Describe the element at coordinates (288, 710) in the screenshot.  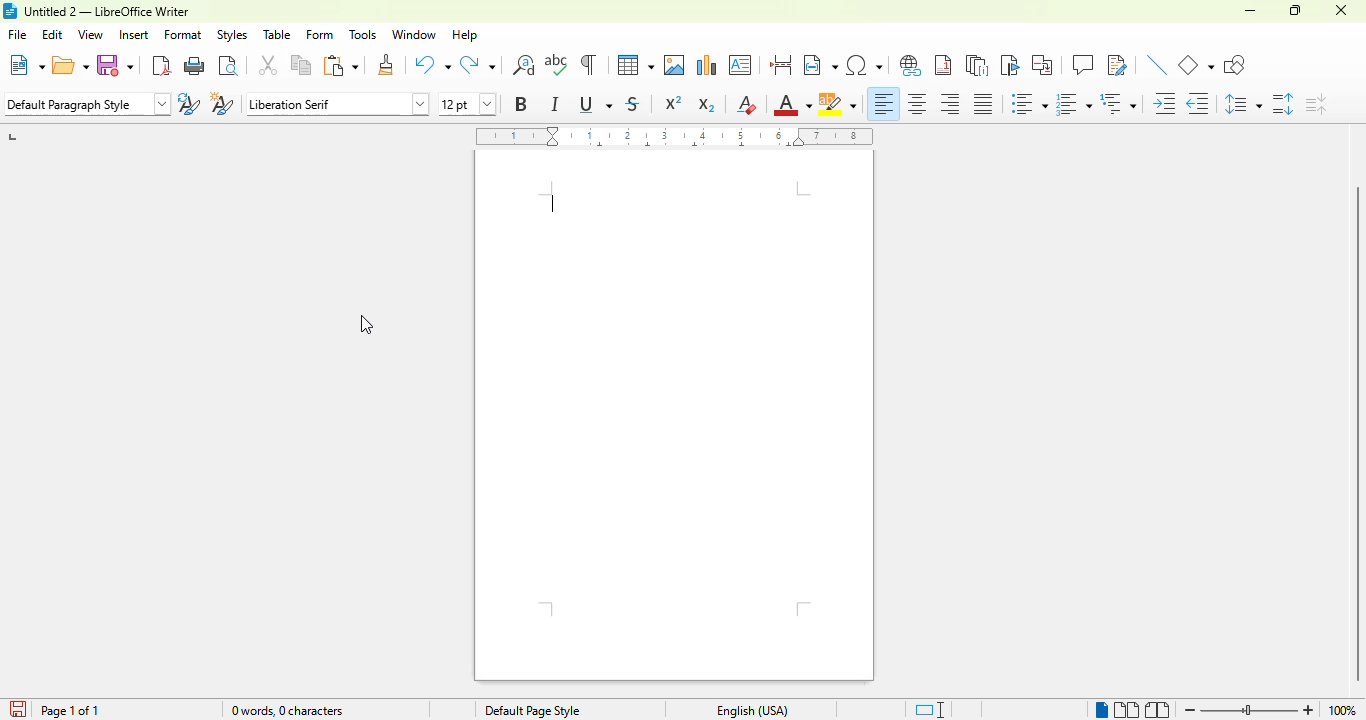
I see `word and character count` at that location.